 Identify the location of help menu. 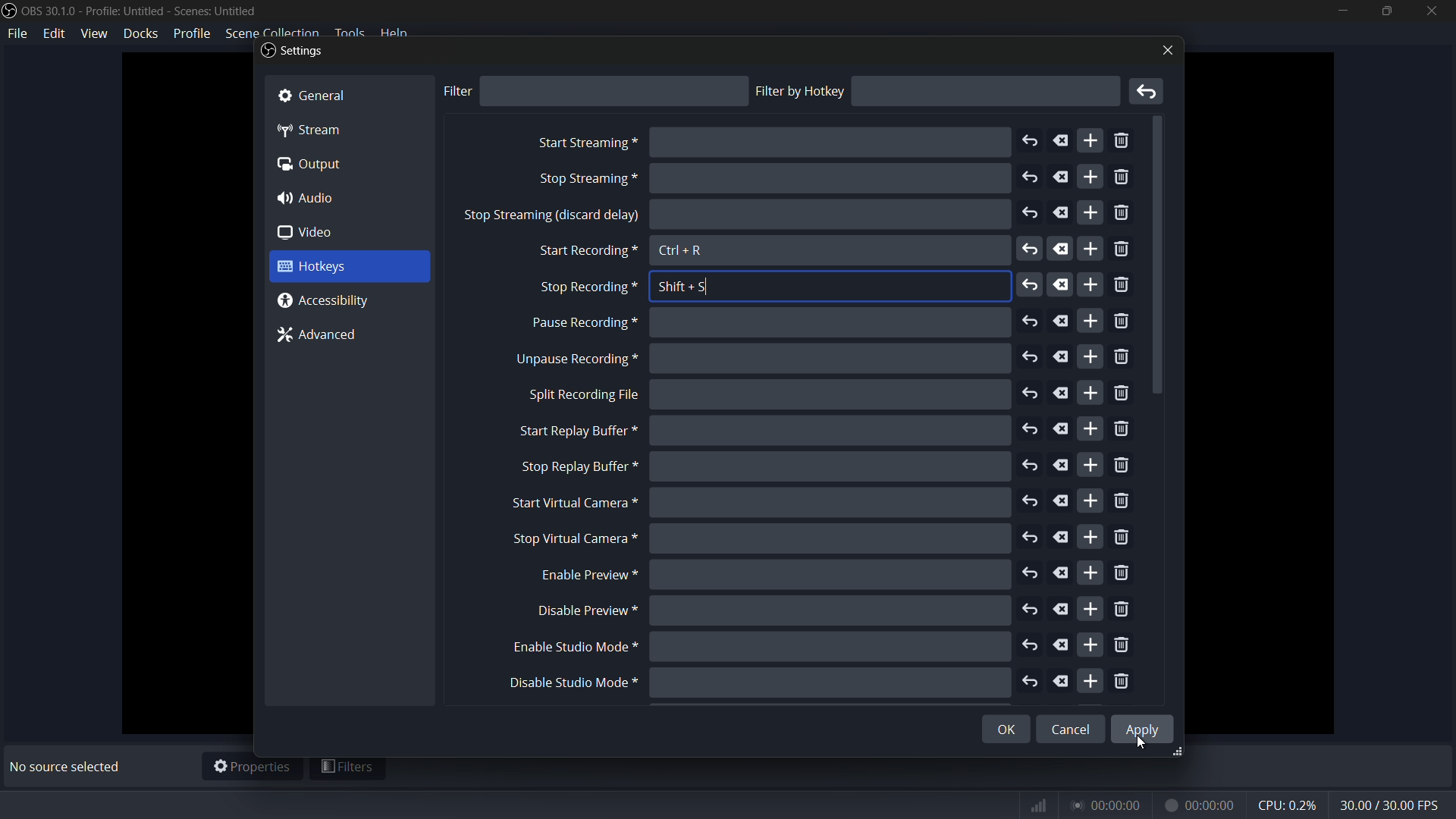
(396, 33).